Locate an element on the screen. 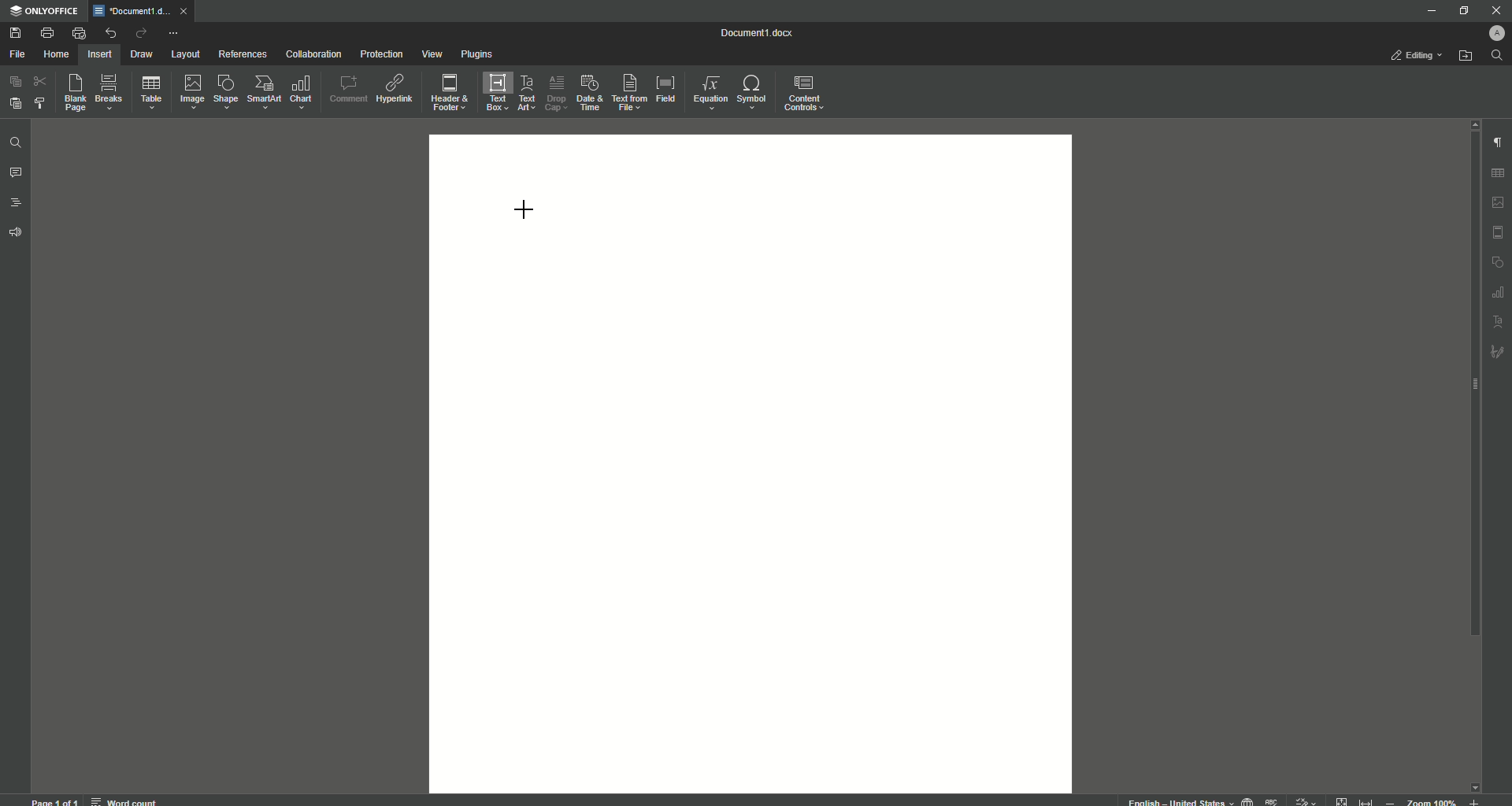  table is located at coordinates (1500, 171).